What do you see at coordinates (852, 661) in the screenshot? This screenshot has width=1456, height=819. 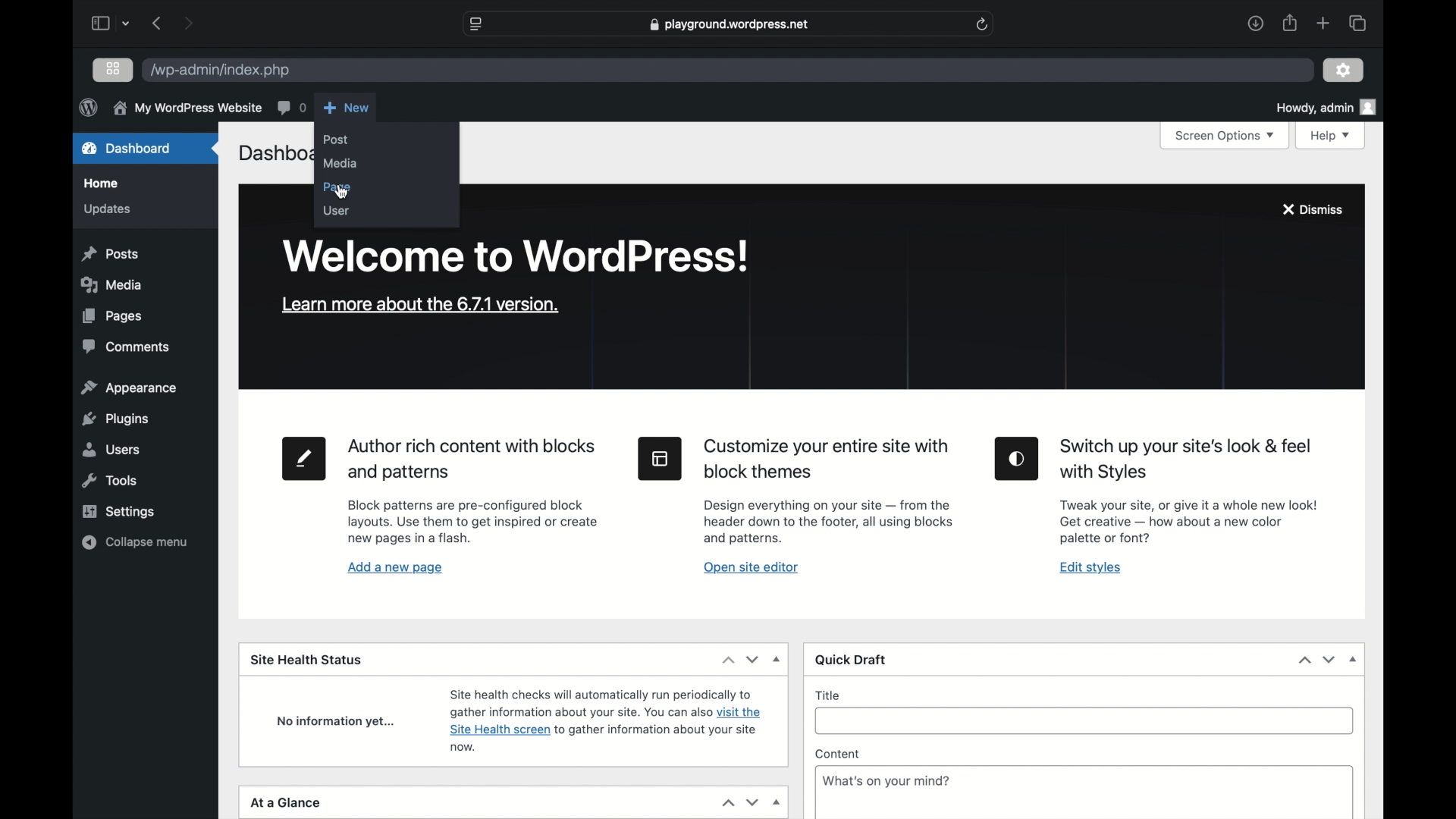 I see `quick draft` at bounding box center [852, 661].